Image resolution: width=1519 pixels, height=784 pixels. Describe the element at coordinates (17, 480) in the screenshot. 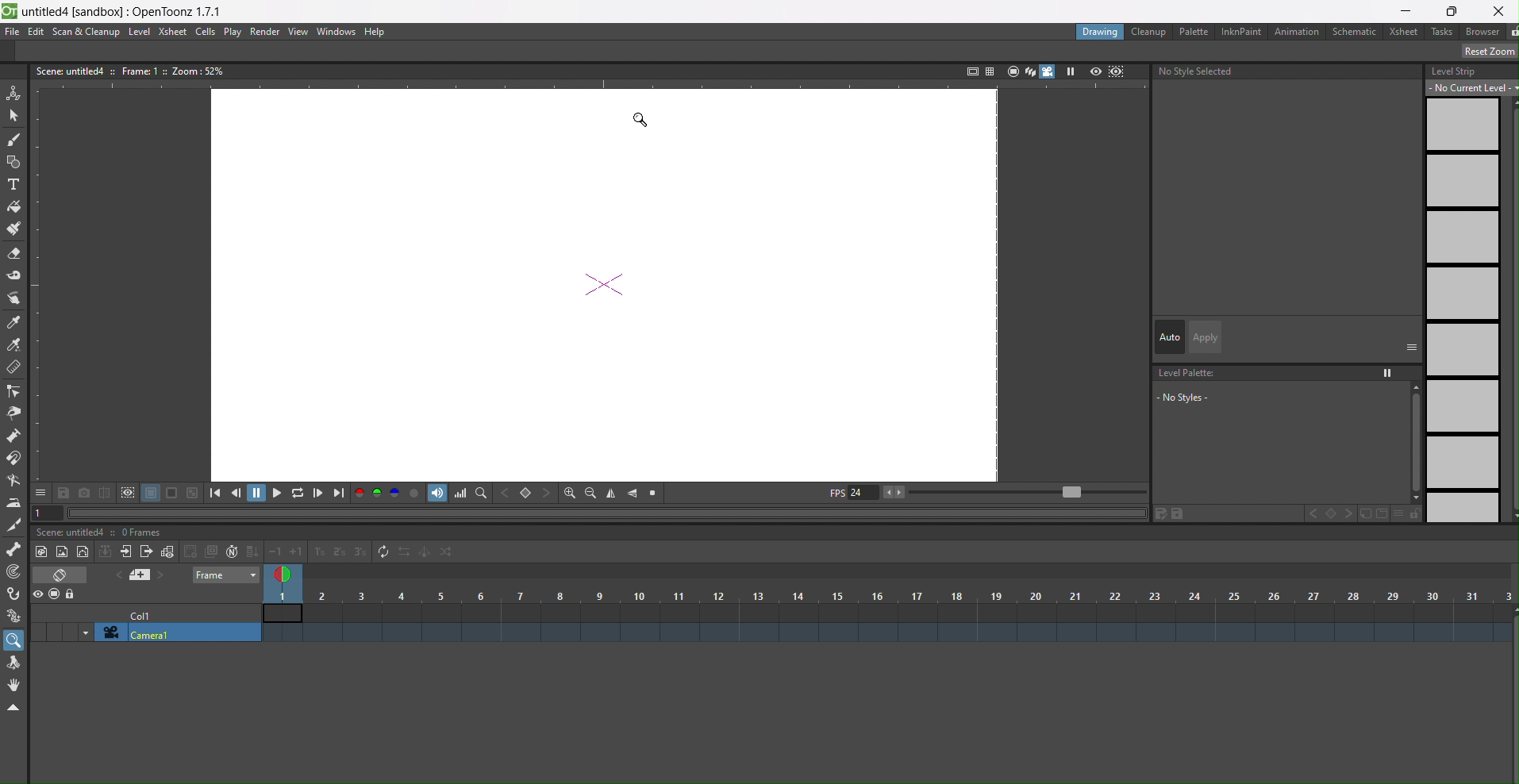

I see `bender tool` at that location.